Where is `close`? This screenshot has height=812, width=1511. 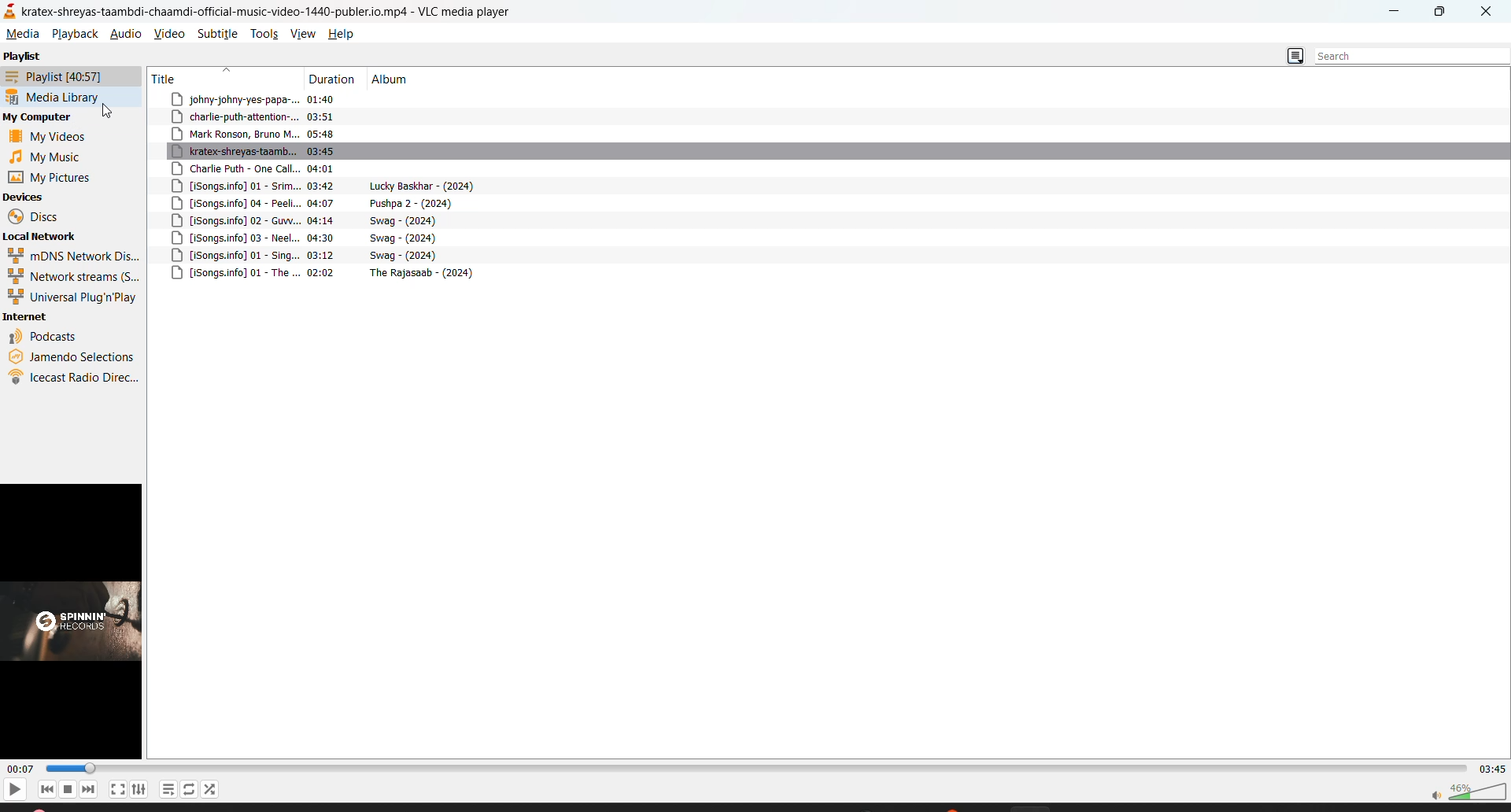 close is located at coordinates (1483, 13).